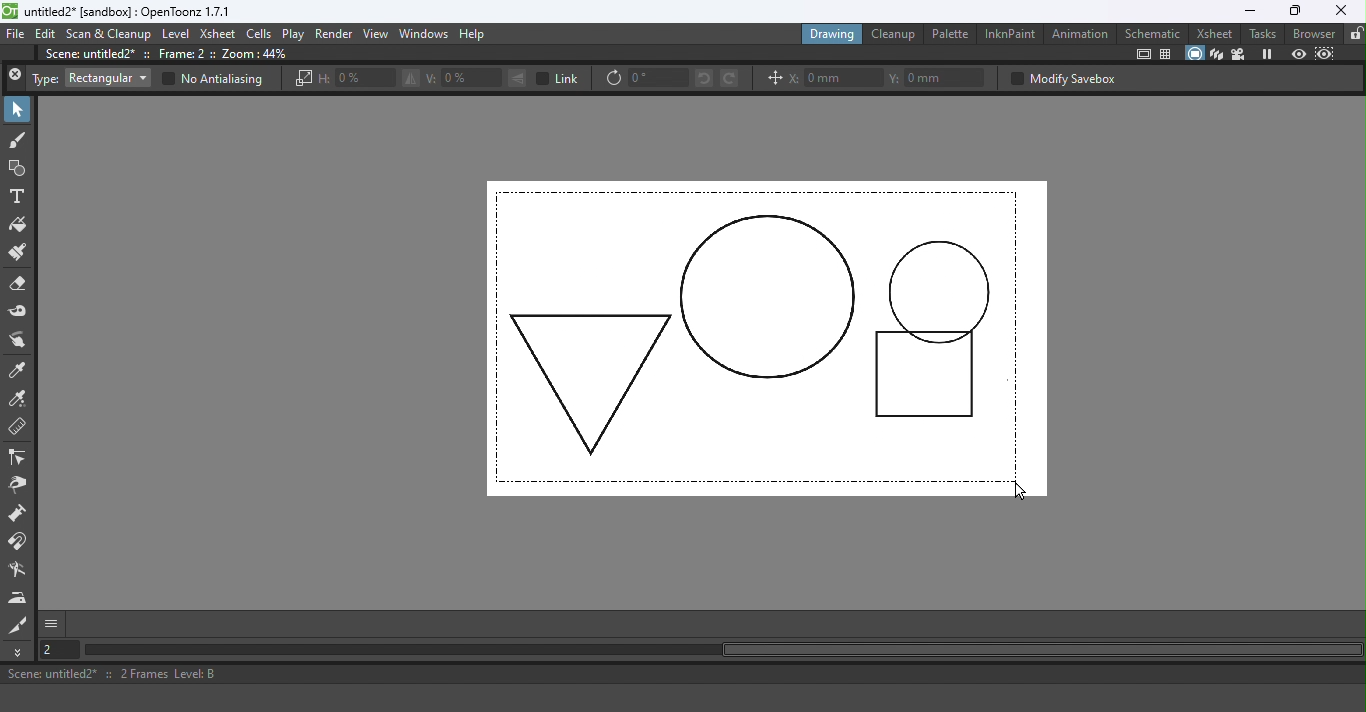 Image resolution: width=1366 pixels, height=712 pixels. I want to click on Pinch tool, so click(18, 487).